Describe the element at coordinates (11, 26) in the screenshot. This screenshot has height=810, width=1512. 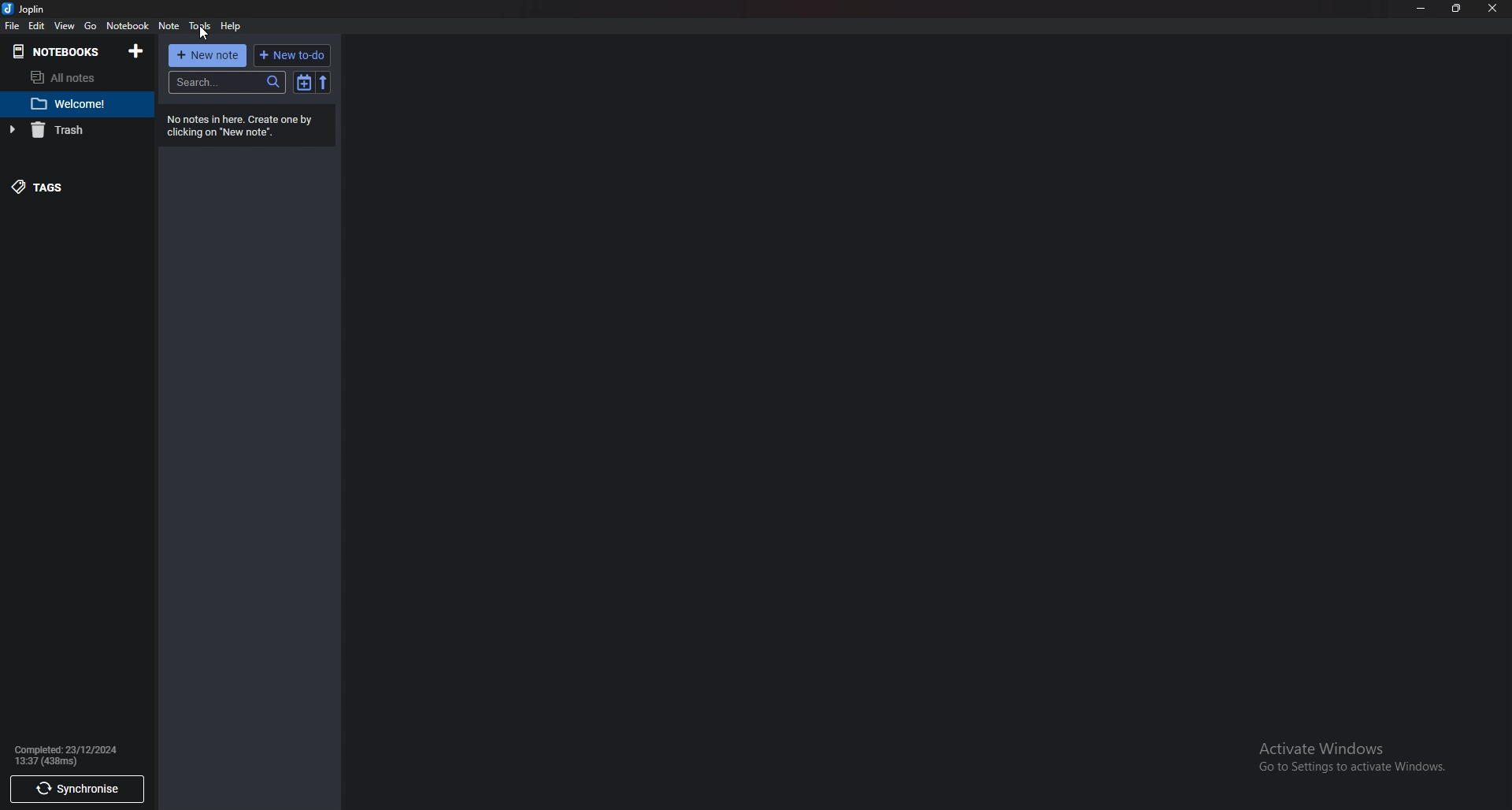
I see `file` at that location.